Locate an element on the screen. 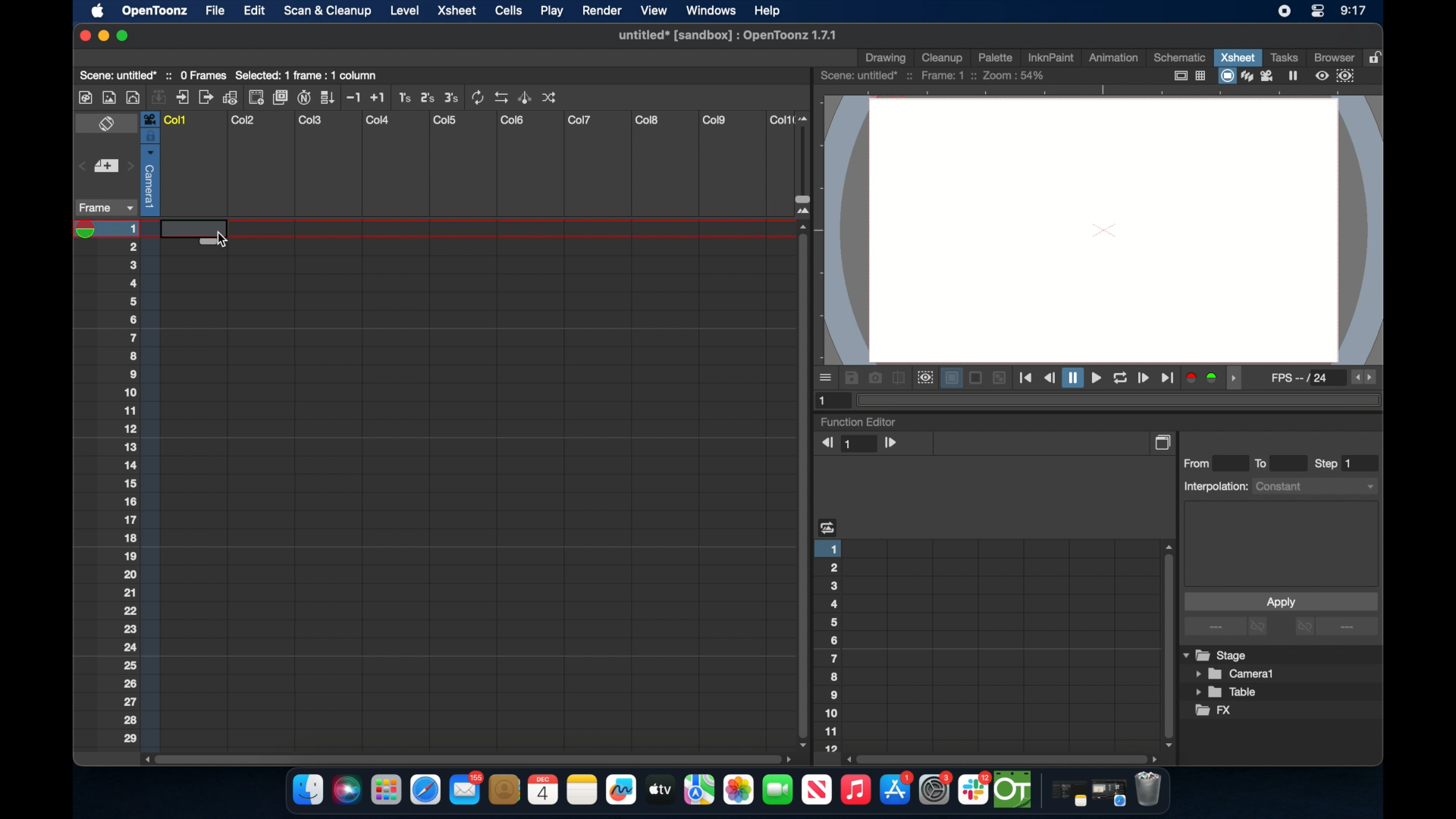 The height and width of the screenshot is (819, 1456). scroll box is located at coordinates (1004, 758).